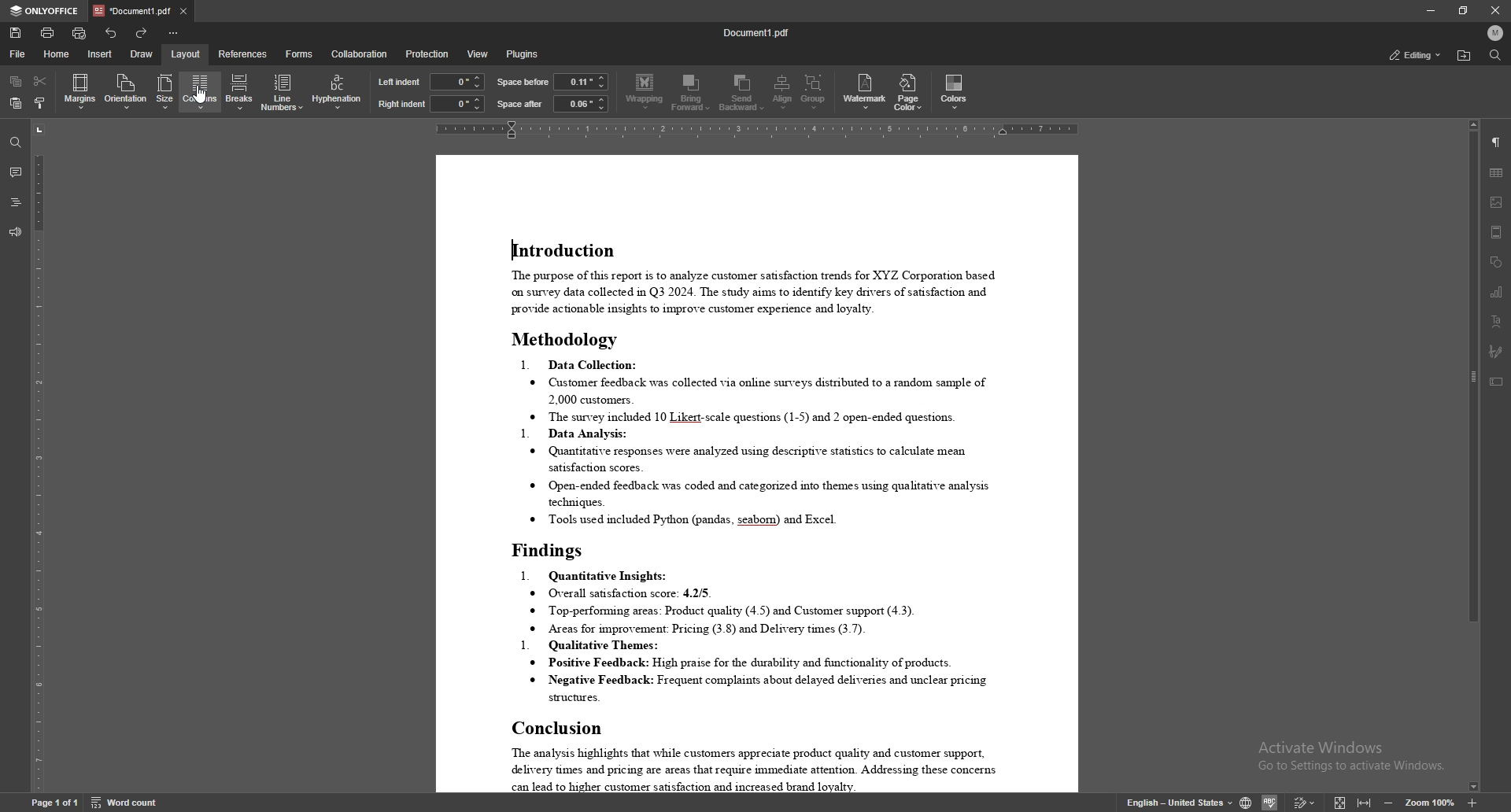 The width and height of the screenshot is (1511, 812). I want to click on space after input, so click(581, 103).